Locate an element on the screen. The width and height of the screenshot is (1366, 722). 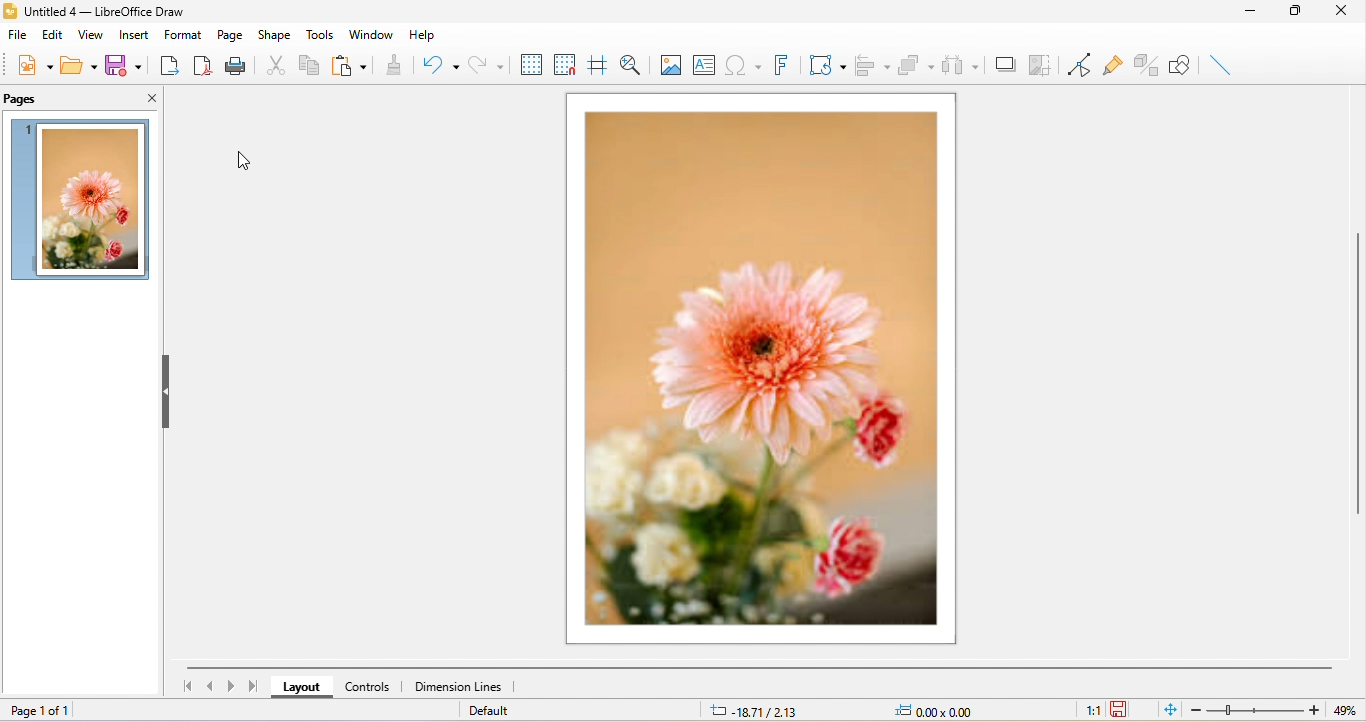
export is located at coordinates (170, 67).